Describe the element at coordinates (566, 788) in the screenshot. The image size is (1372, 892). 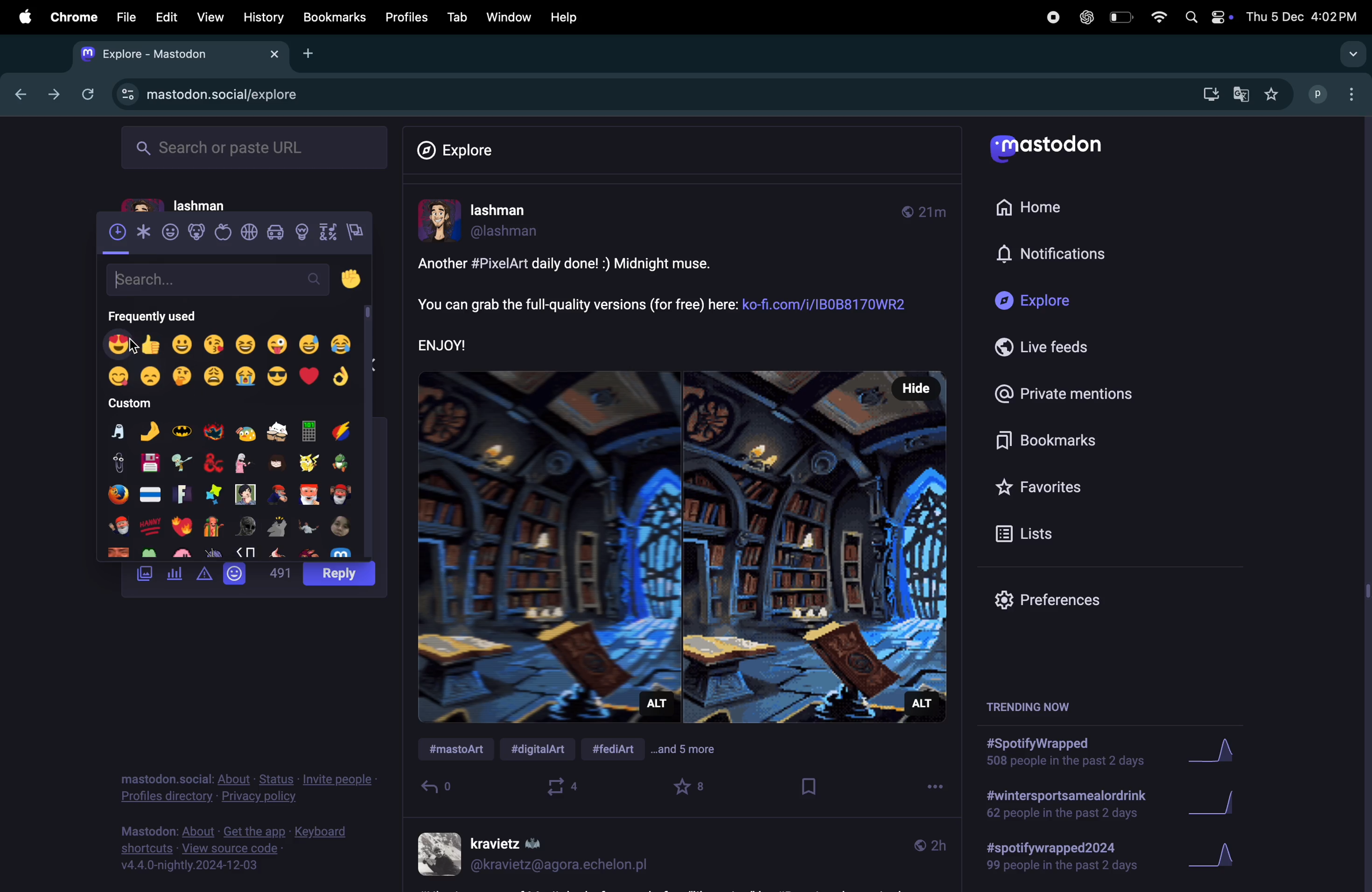
I see `boost` at that location.